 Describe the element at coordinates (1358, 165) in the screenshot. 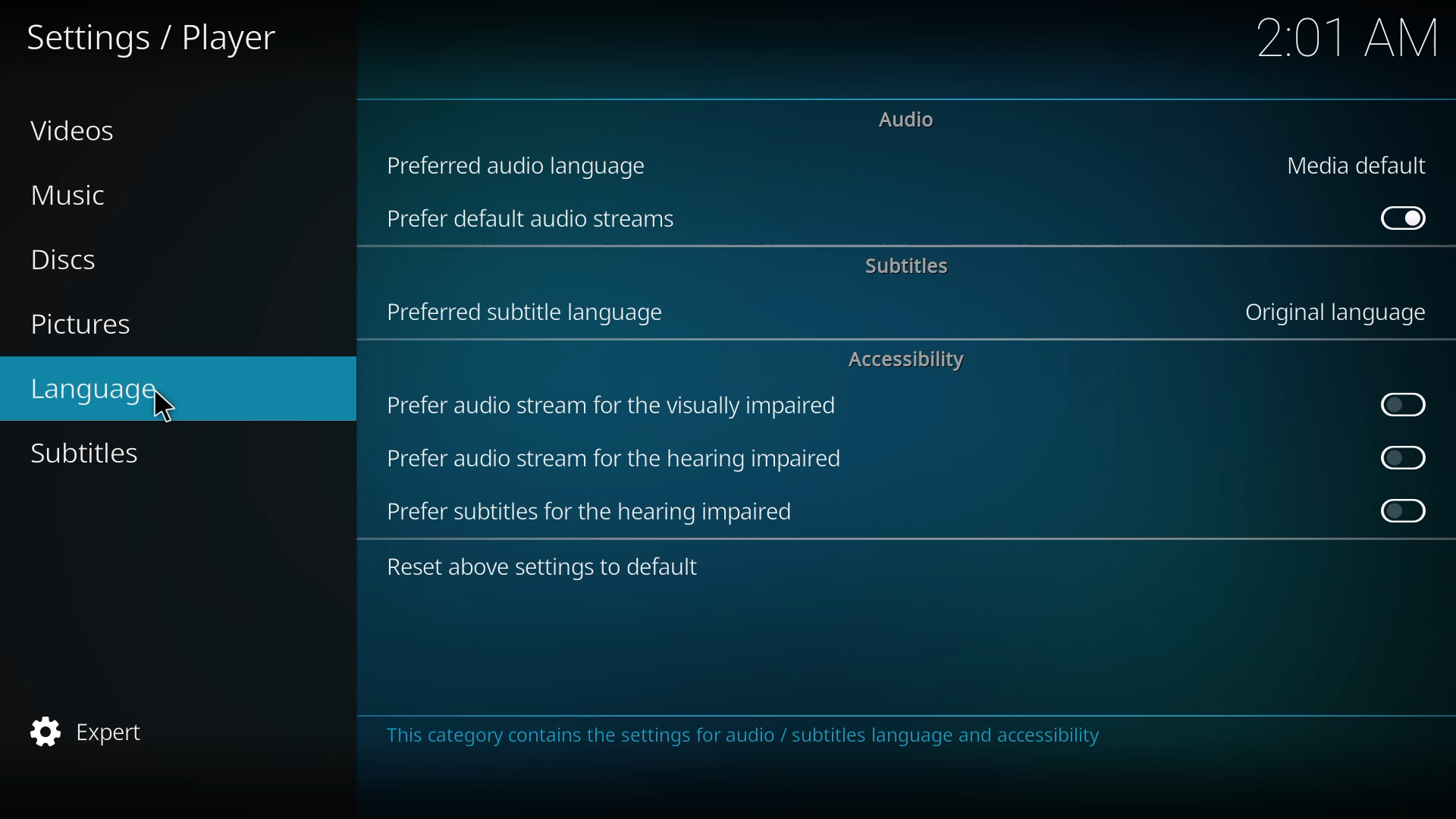

I see `media default` at that location.